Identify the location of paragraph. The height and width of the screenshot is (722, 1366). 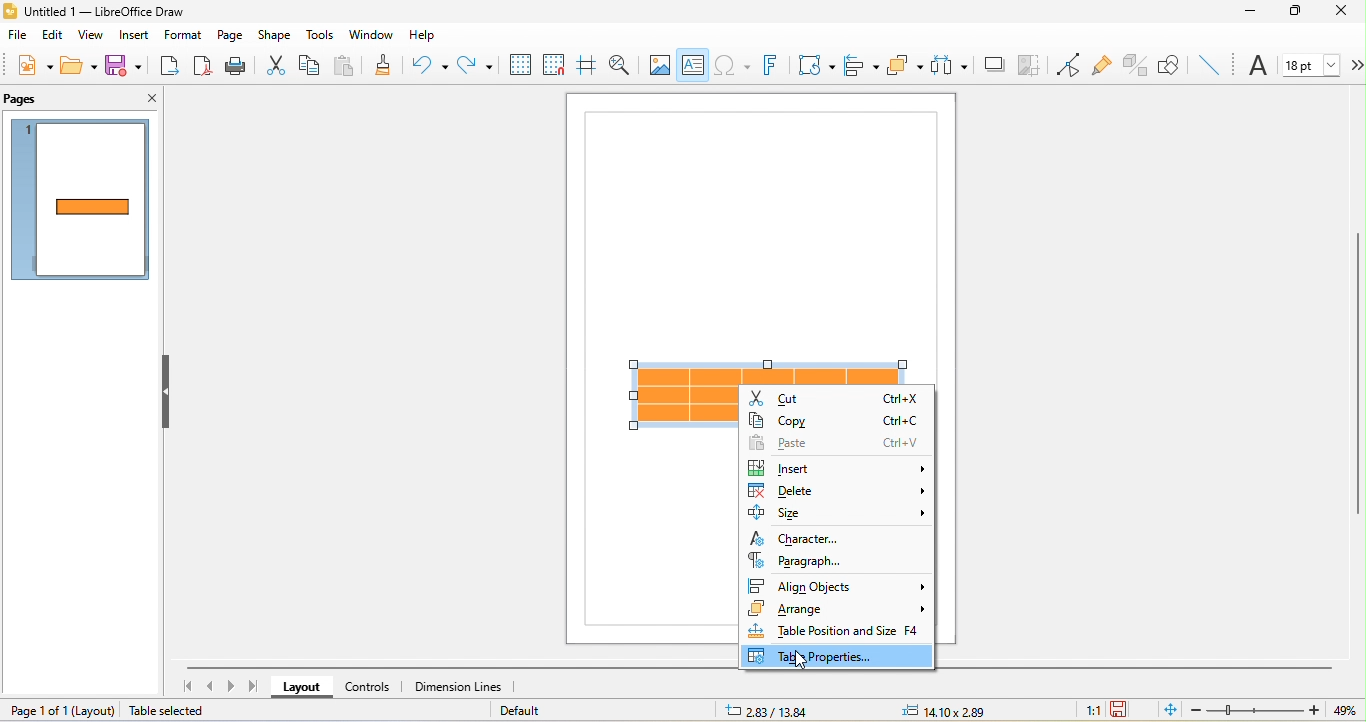
(826, 559).